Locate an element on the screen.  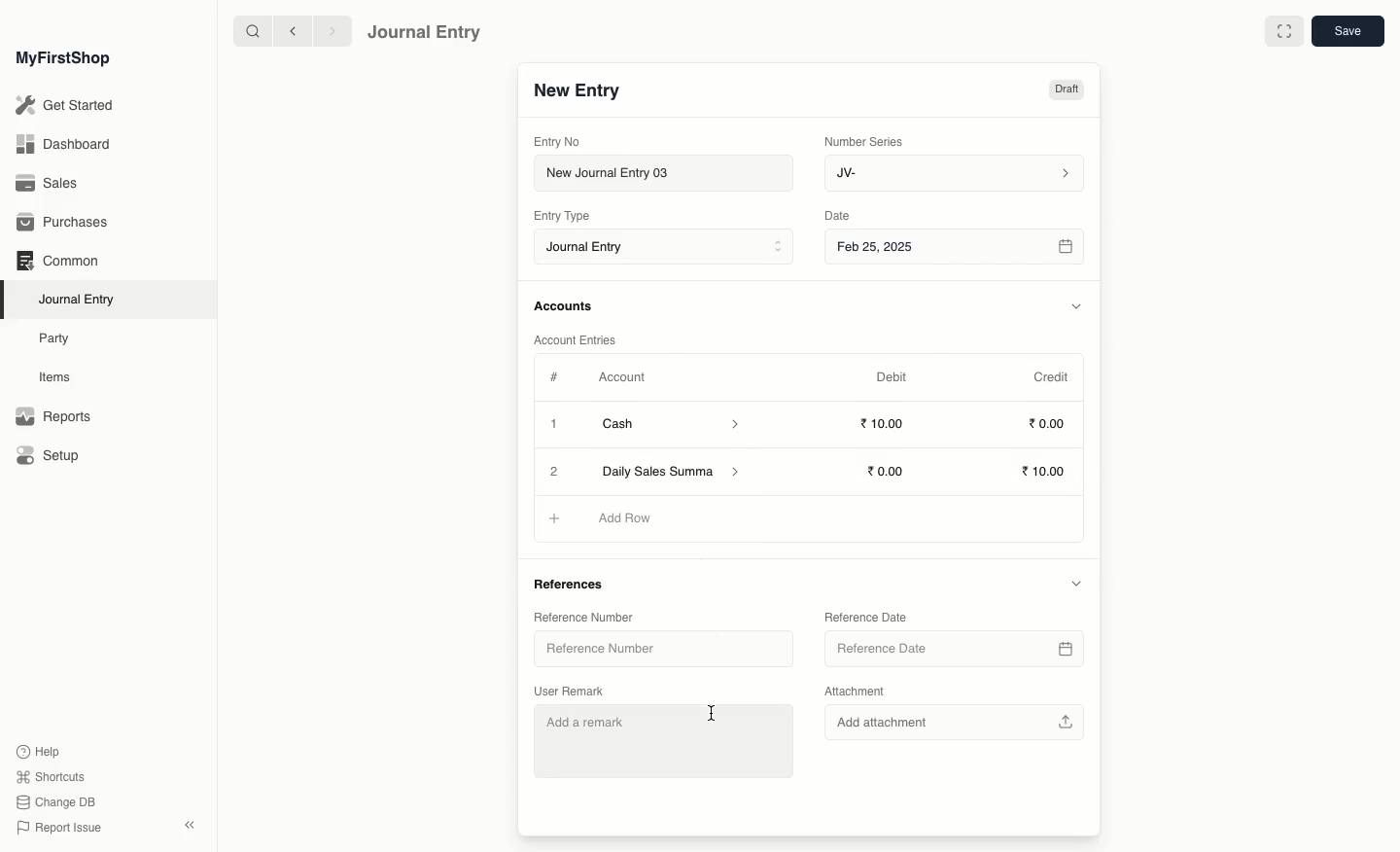
Draft is located at coordinates (1066, 91).